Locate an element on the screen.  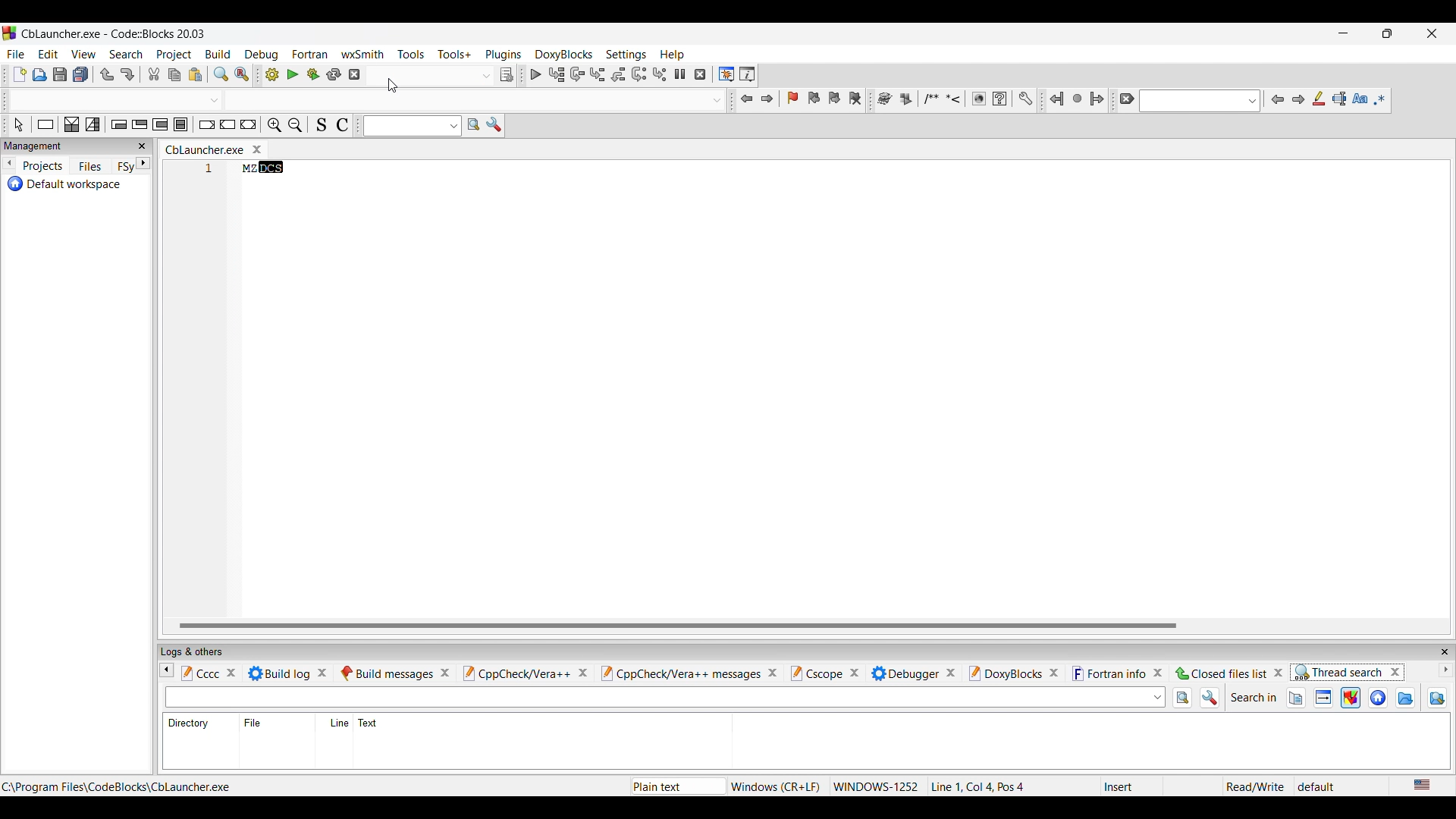
Close tab is located at coordinates (772, 672).